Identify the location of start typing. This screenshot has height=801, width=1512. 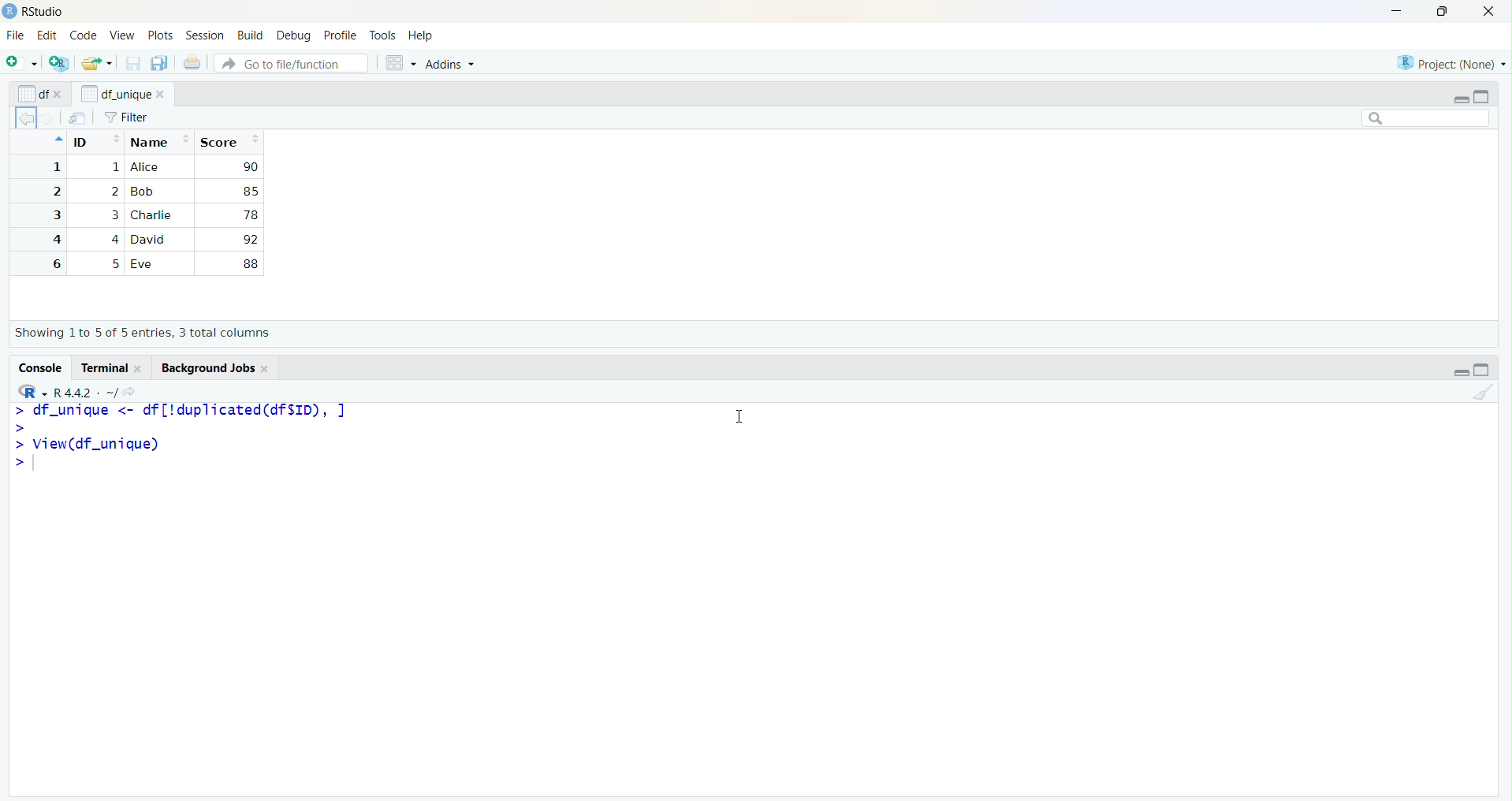
(17, 463).